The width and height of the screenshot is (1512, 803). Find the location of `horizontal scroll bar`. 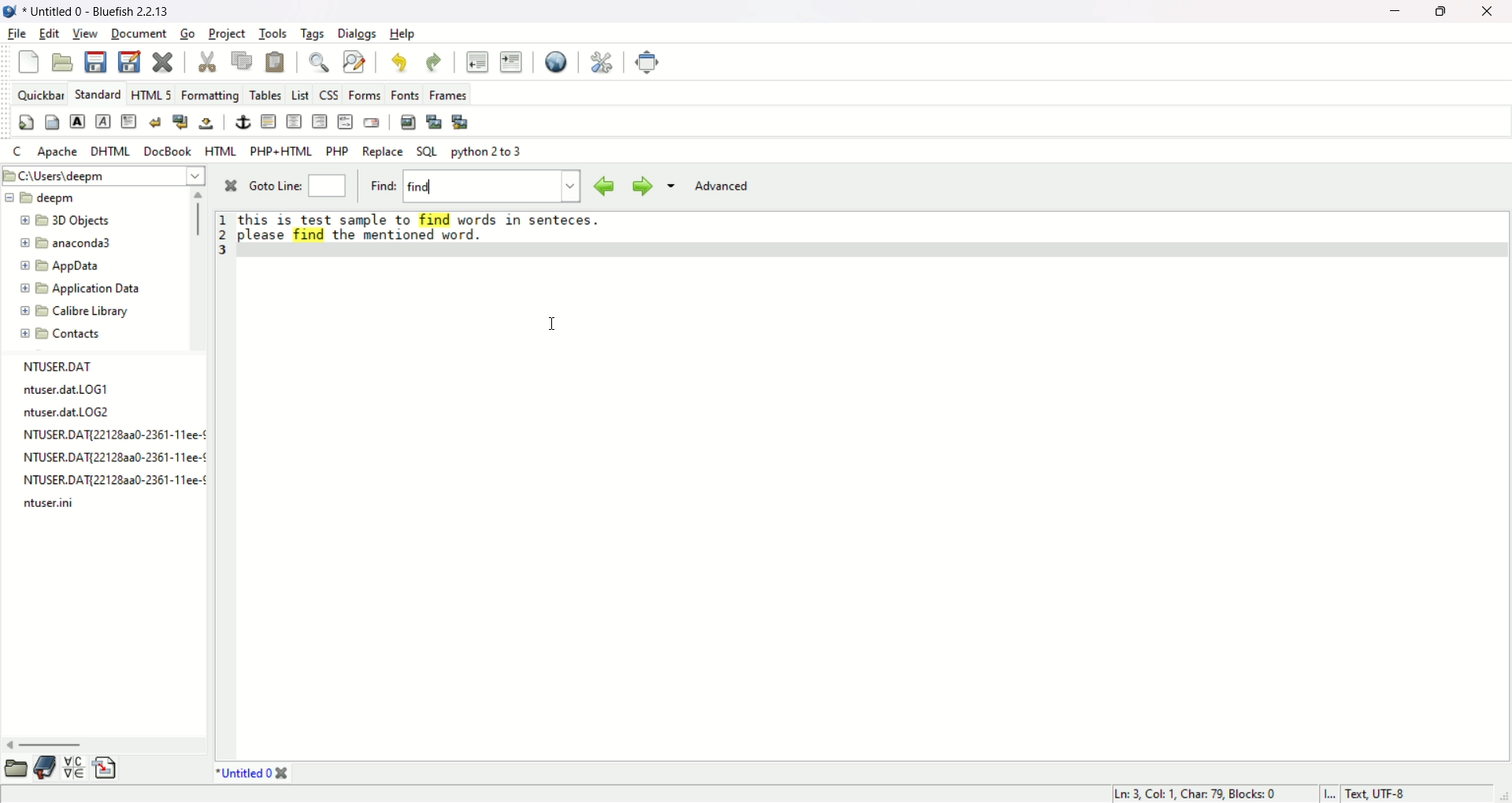

horizontal scroll bar is located at coordinates (53, 746).